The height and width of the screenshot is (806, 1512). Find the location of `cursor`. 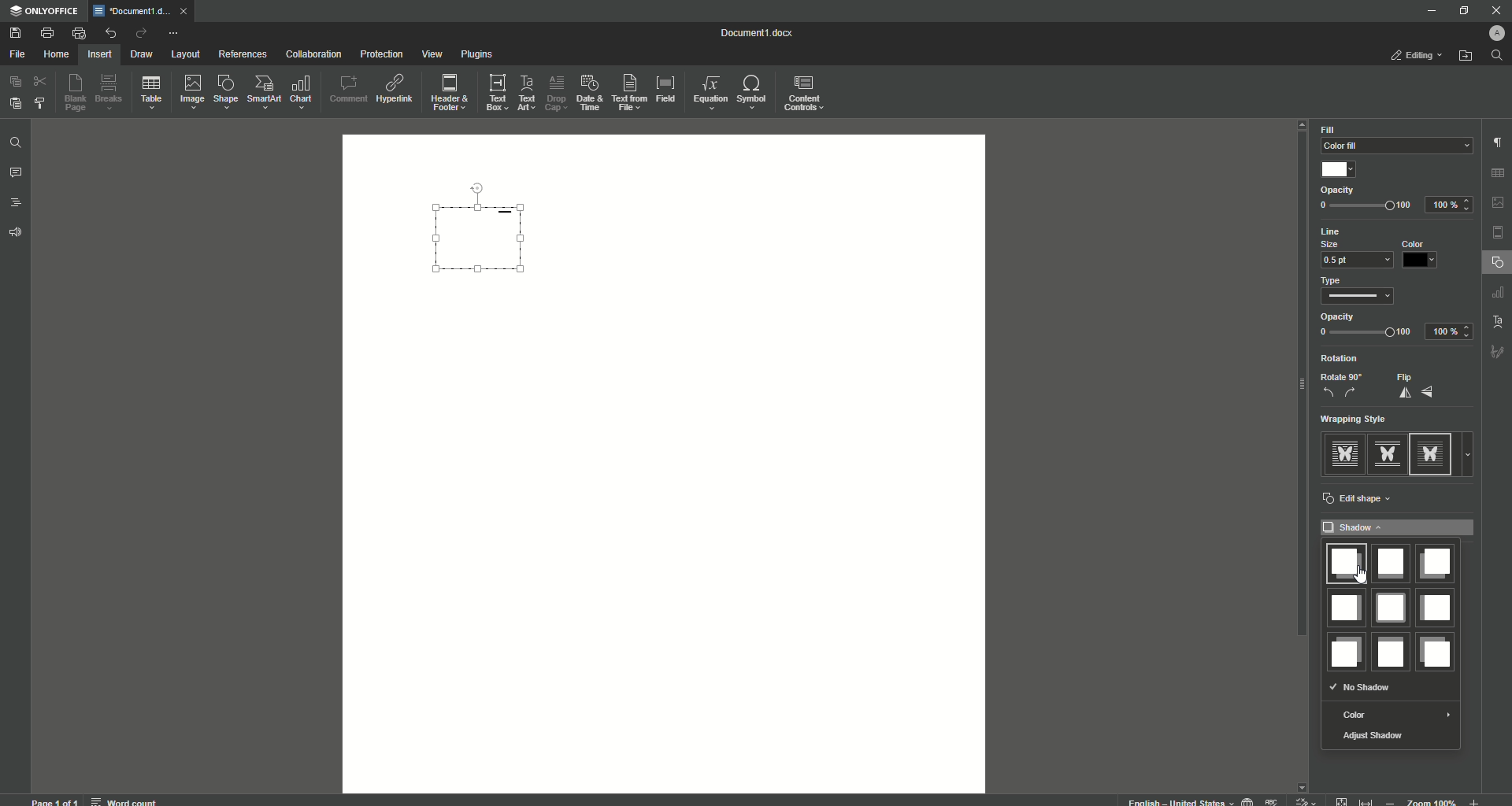

cursor is located at coordinates (1366, 579).